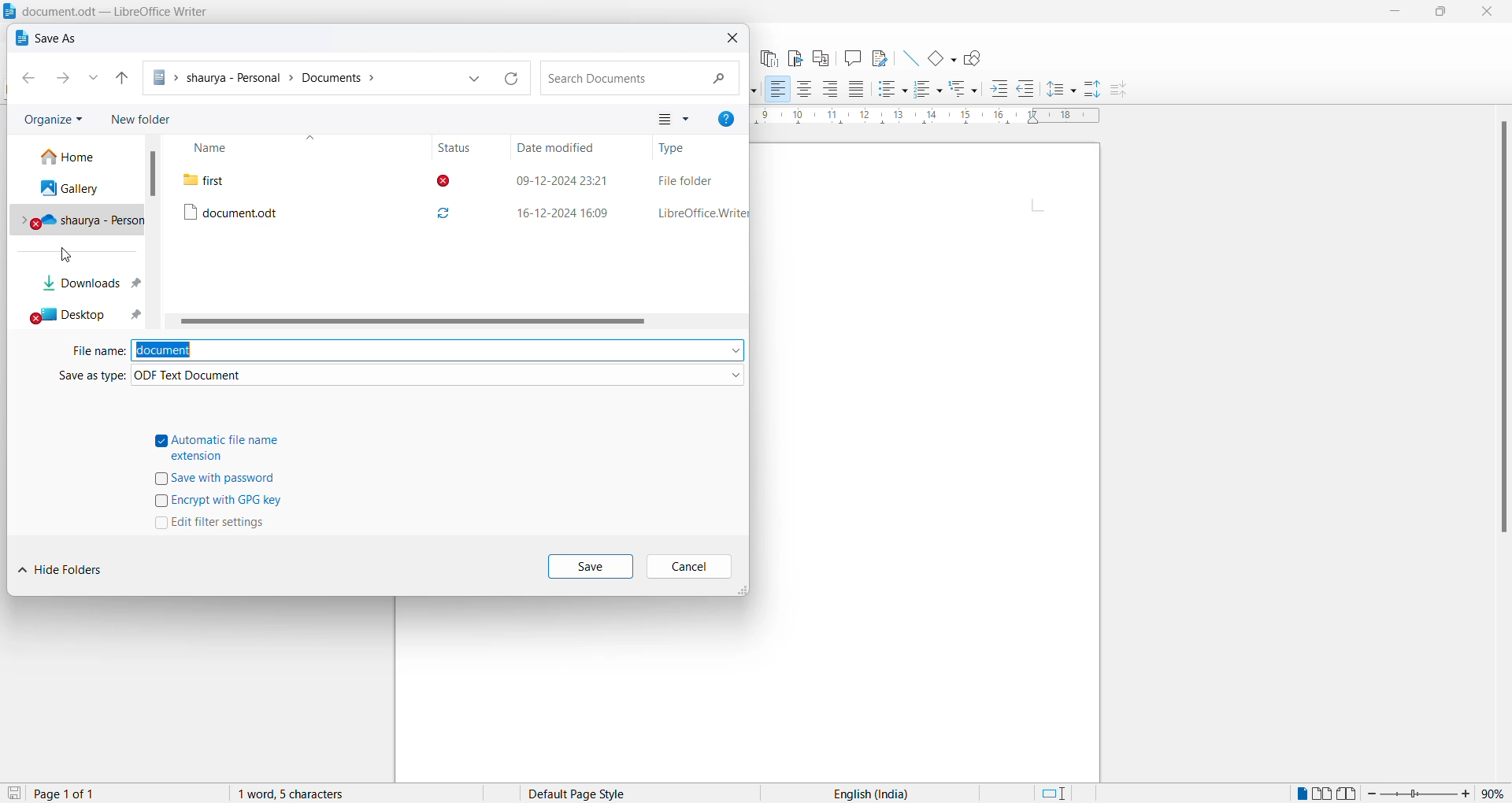 The width and height of the screenshot is (1512, 803). What do you see at coordinates (856, 91) in the screenshot?
I see `Justify` at bounding box center [856, 91].